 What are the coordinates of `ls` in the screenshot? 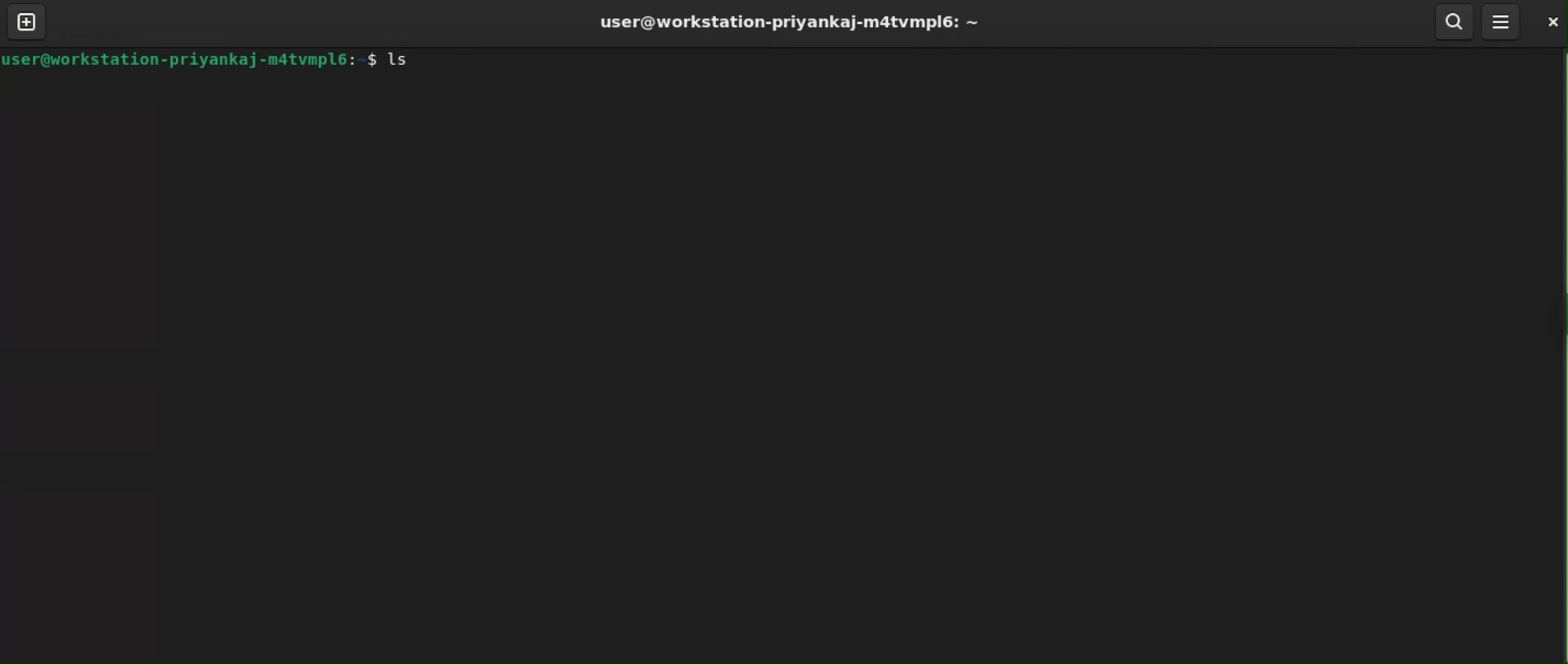 It's located at (404, 60).